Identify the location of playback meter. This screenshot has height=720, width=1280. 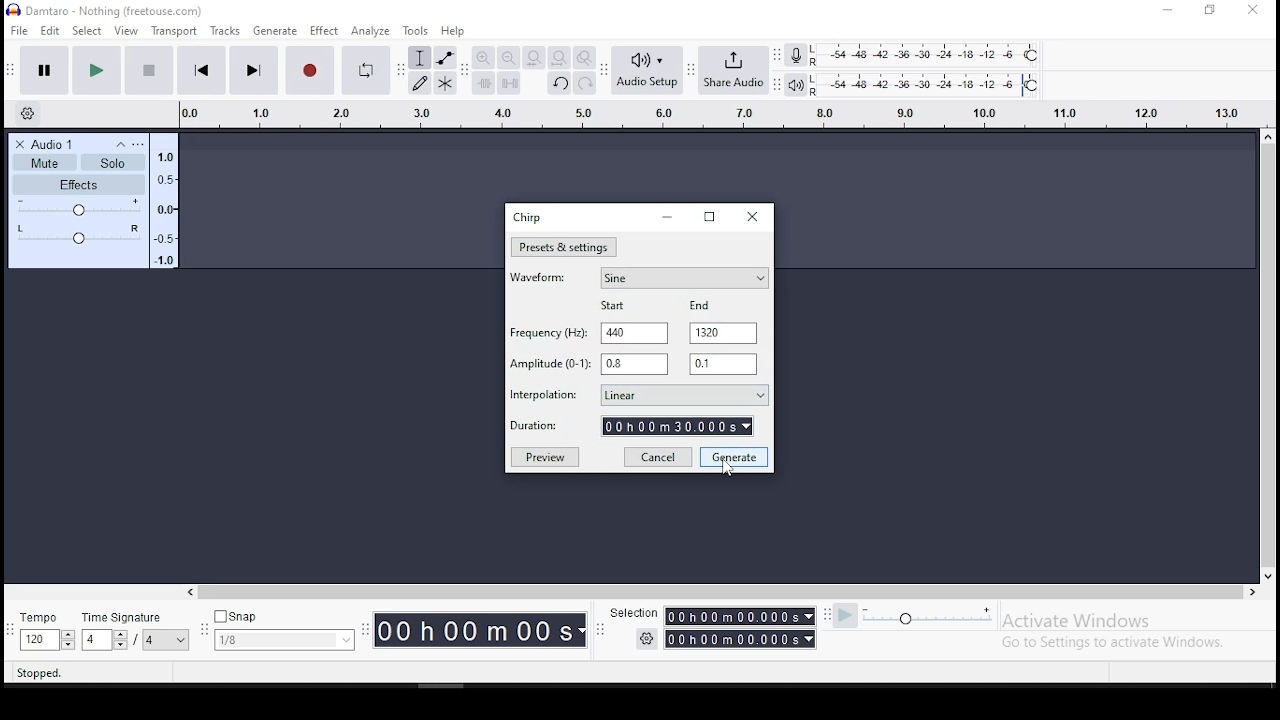
(797, 85).